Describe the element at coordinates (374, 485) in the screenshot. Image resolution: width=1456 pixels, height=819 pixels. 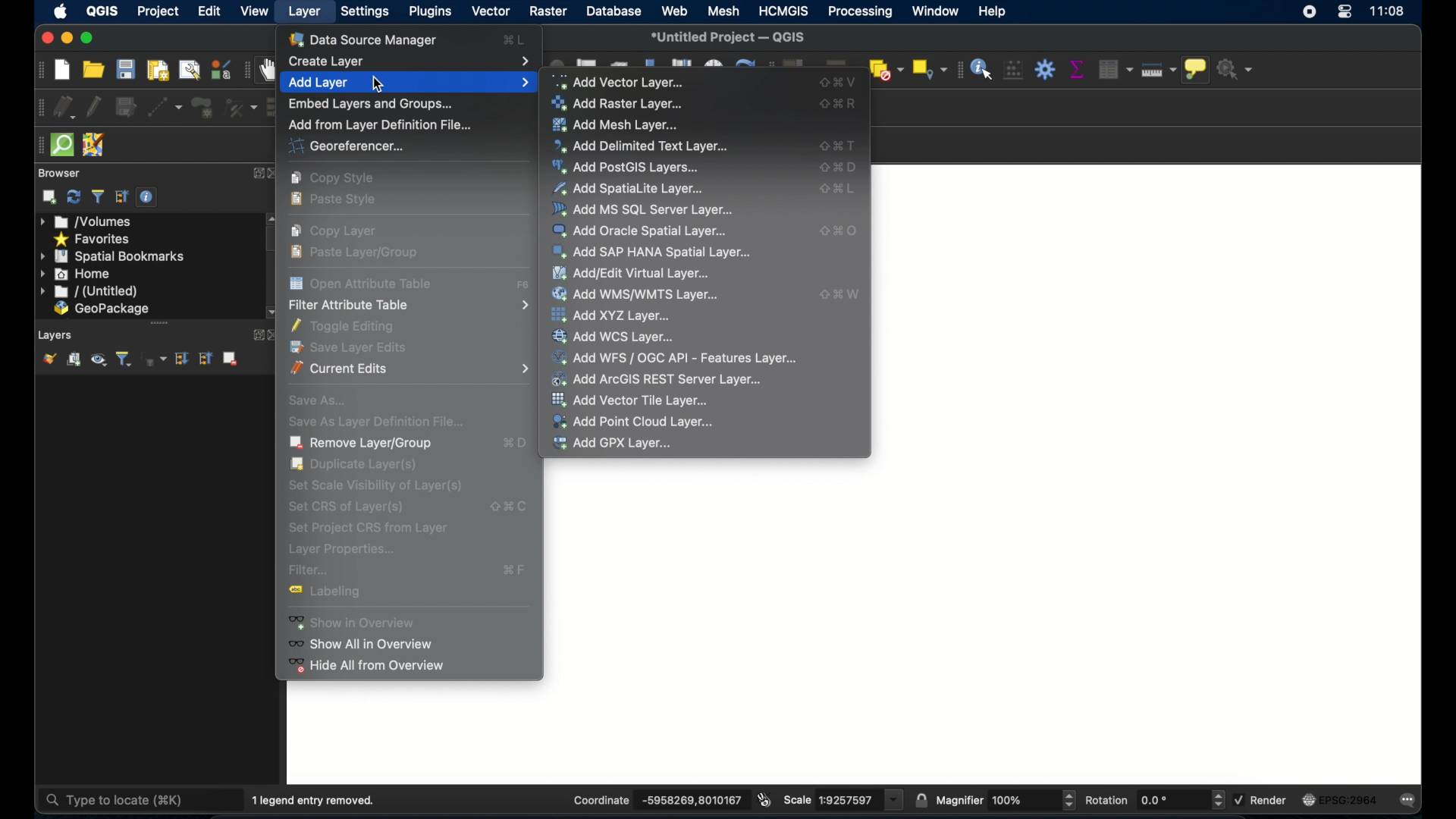
I see `set scale visibility of layer(s)` at that location.